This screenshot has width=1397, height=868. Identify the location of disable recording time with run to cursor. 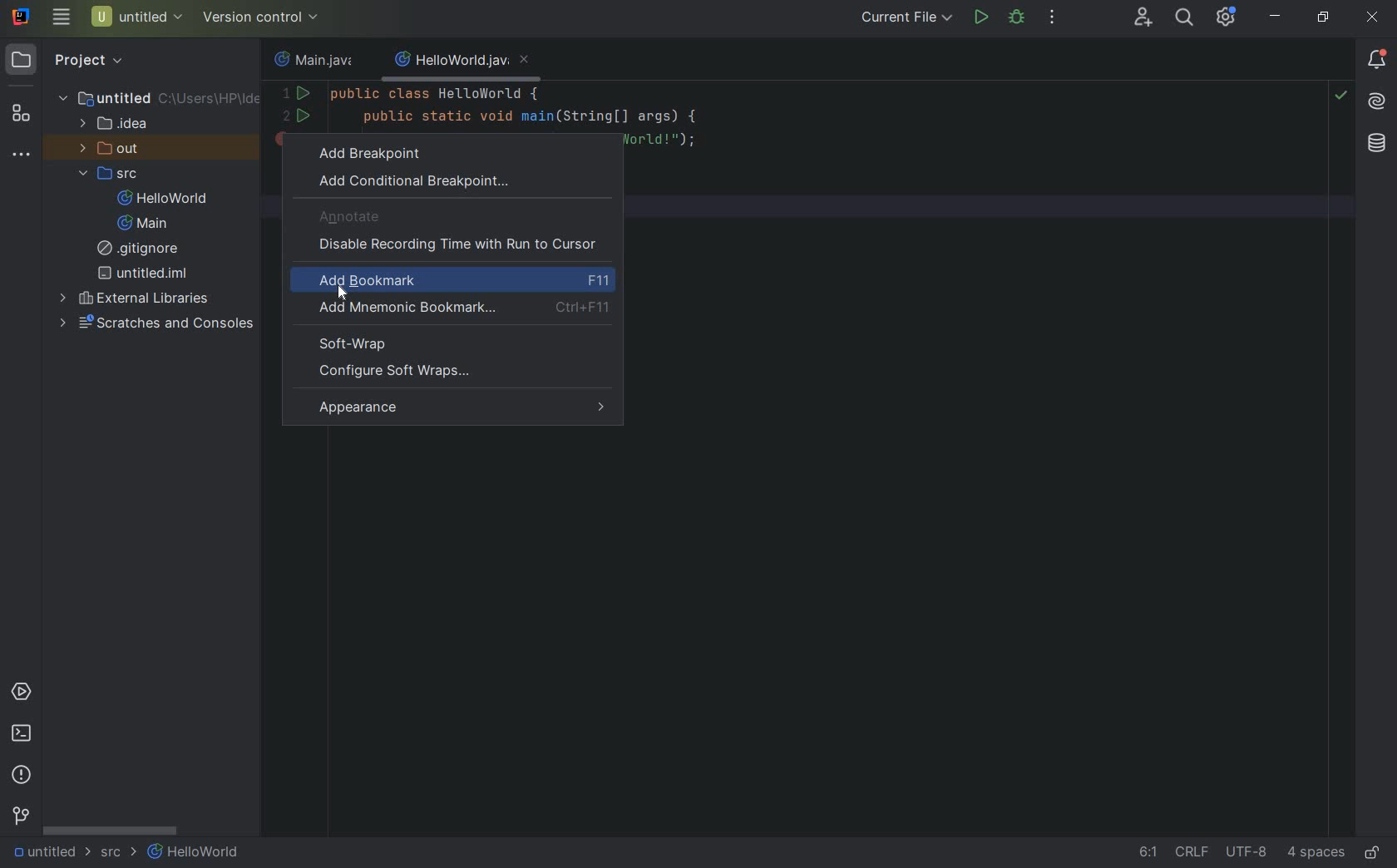
(461, 245).